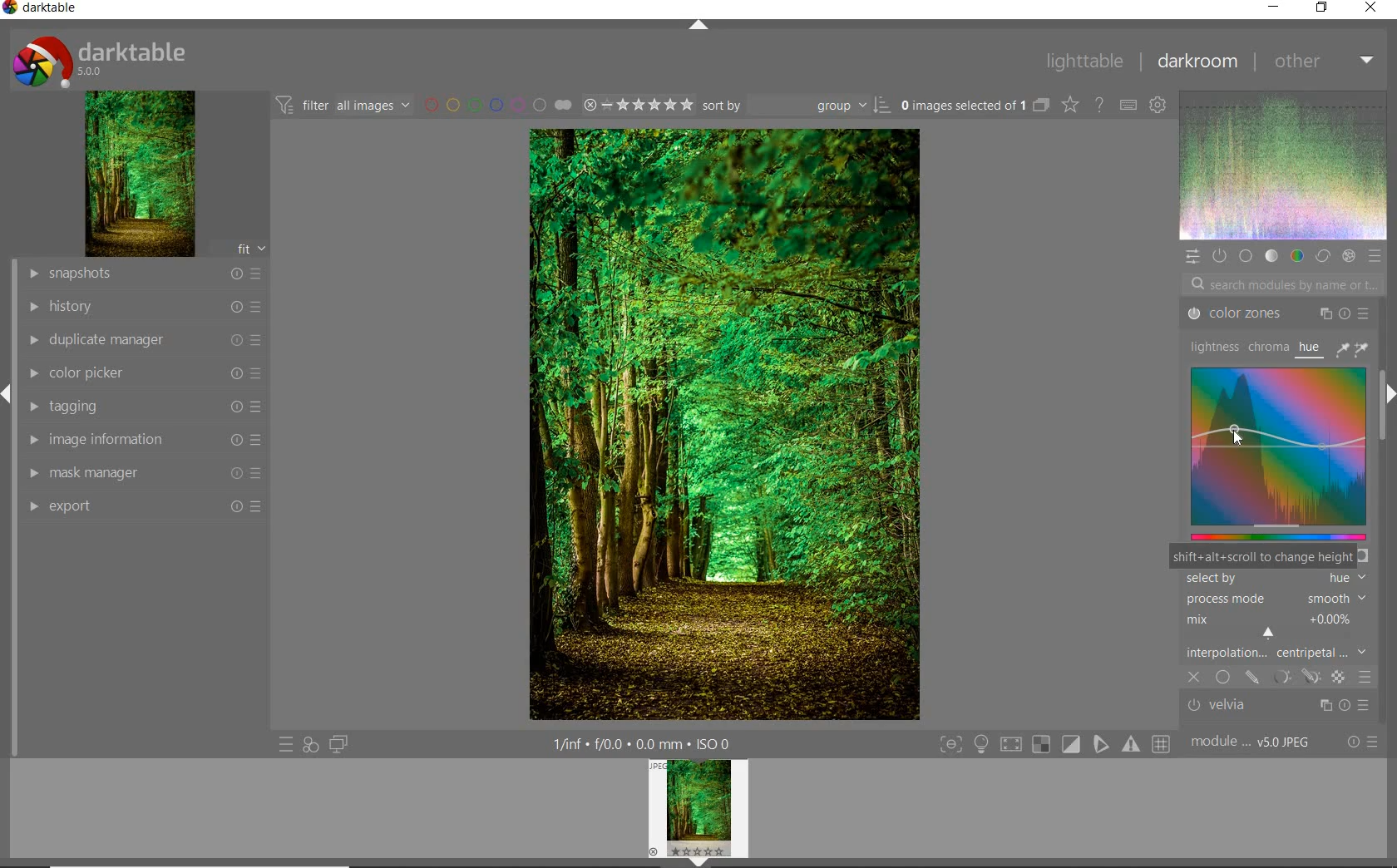 Image resolution: width=1397 pixels, height=868 pixels. Describe the element at coordinates (1281, 627) in the screenshot. I see `mix` at that location.